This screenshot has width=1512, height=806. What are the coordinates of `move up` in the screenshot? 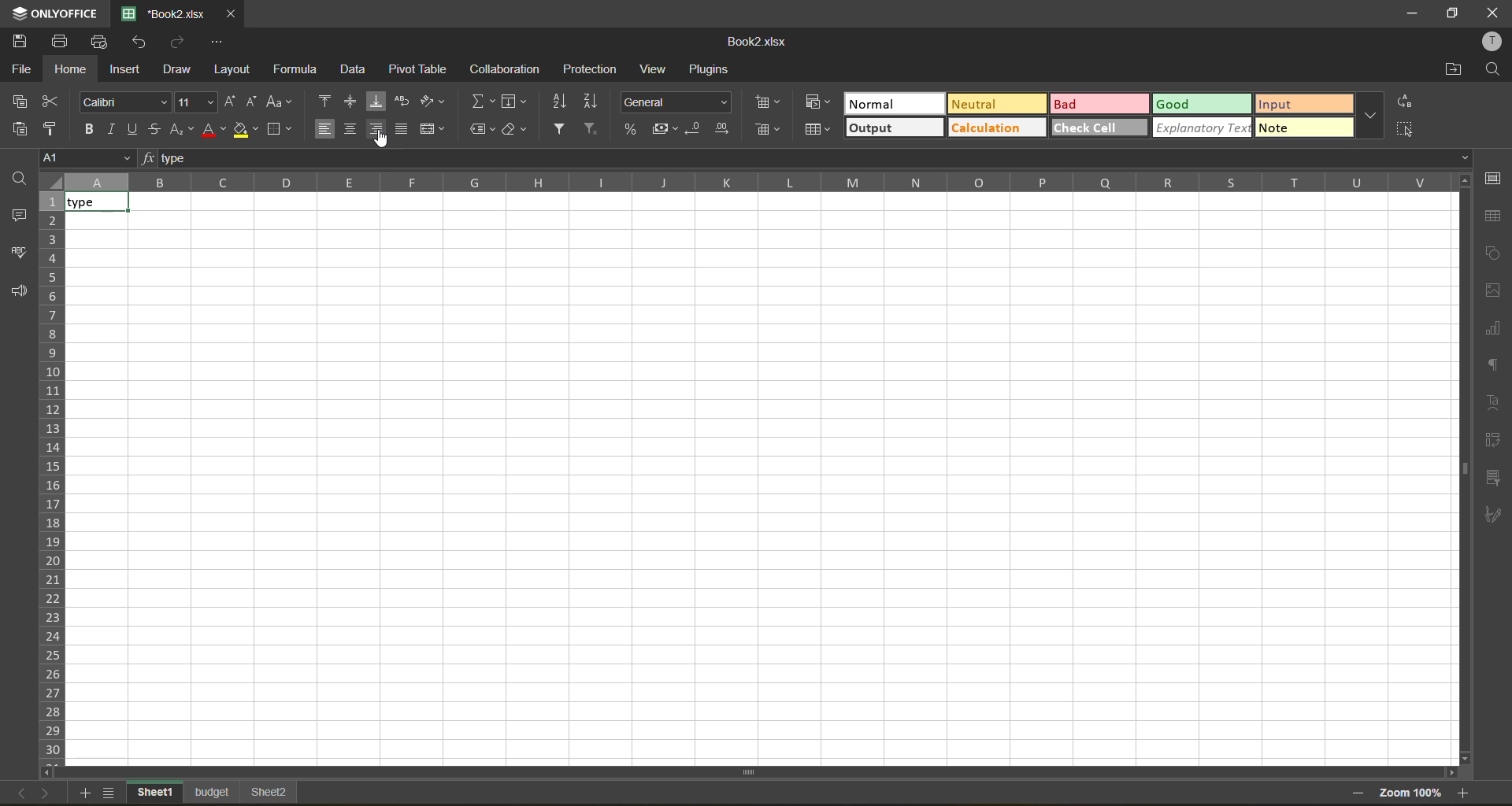 It's located at (1463, 184).